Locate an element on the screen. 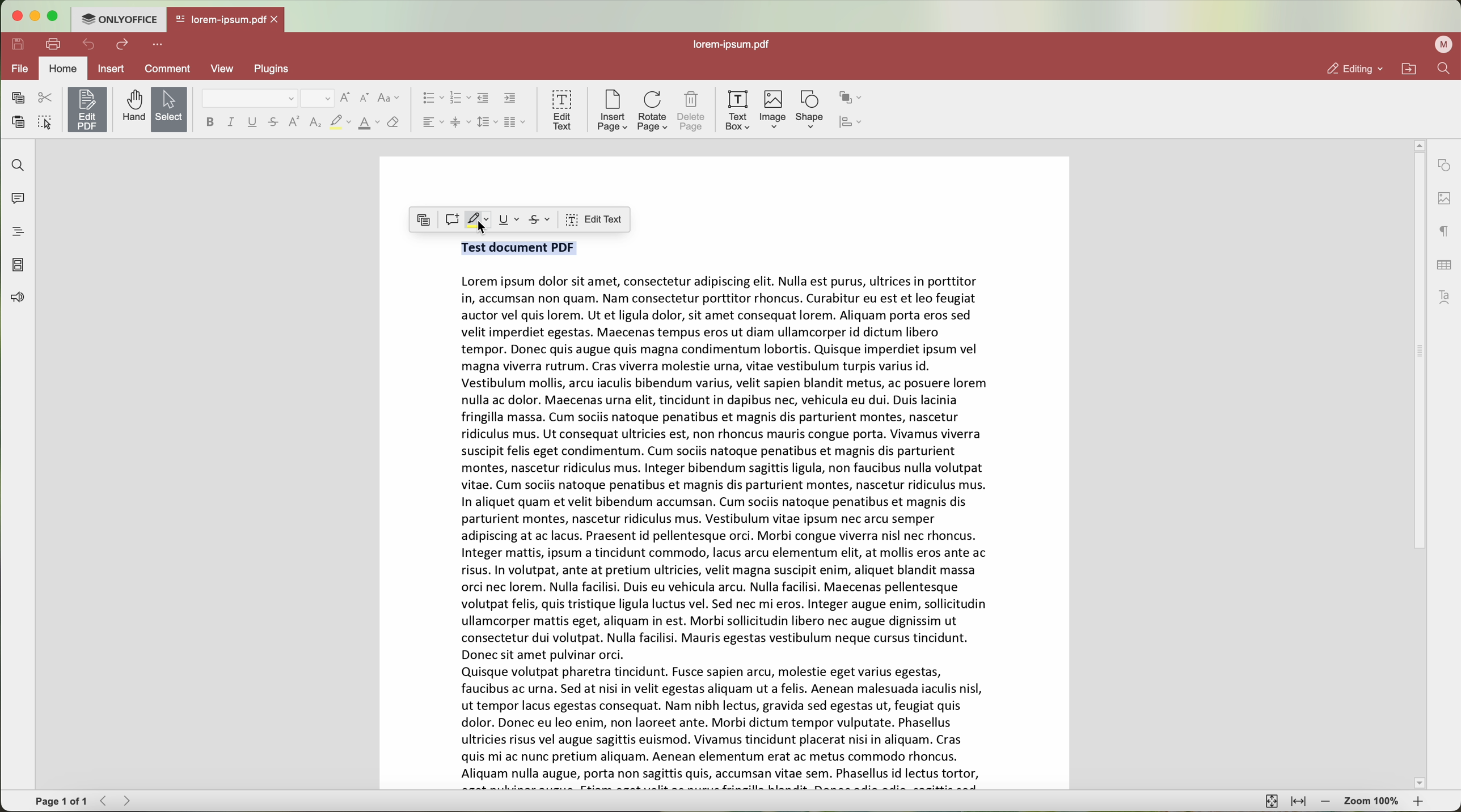 This screenshot has width=1461, height=812. size font is located at coordinates (318, 99).